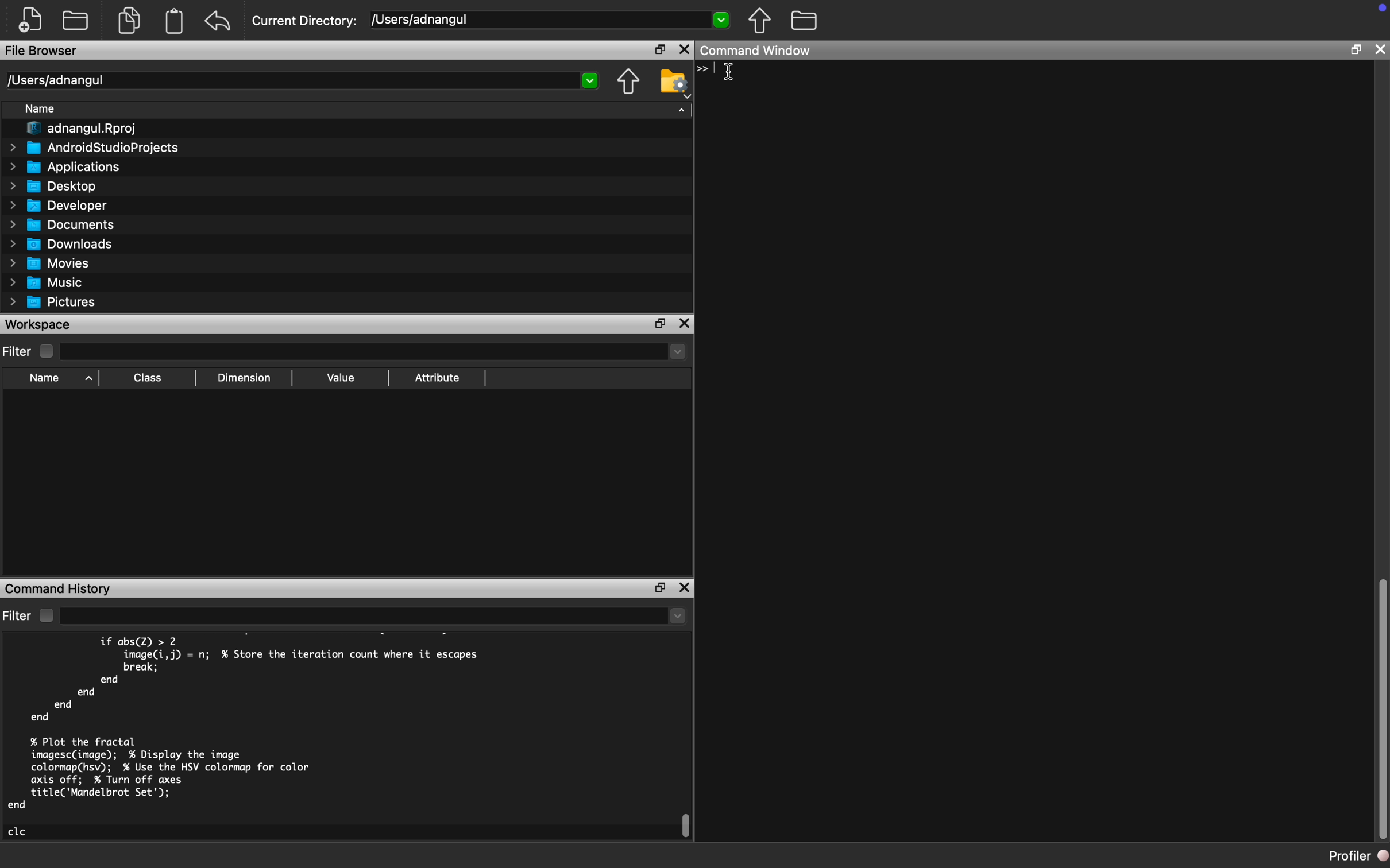 Image resolution: width=1390 pixels, height=868 pixels. Describe the element at coordinates (1379, 50) in the screenshot. I see `Close ` at that location.